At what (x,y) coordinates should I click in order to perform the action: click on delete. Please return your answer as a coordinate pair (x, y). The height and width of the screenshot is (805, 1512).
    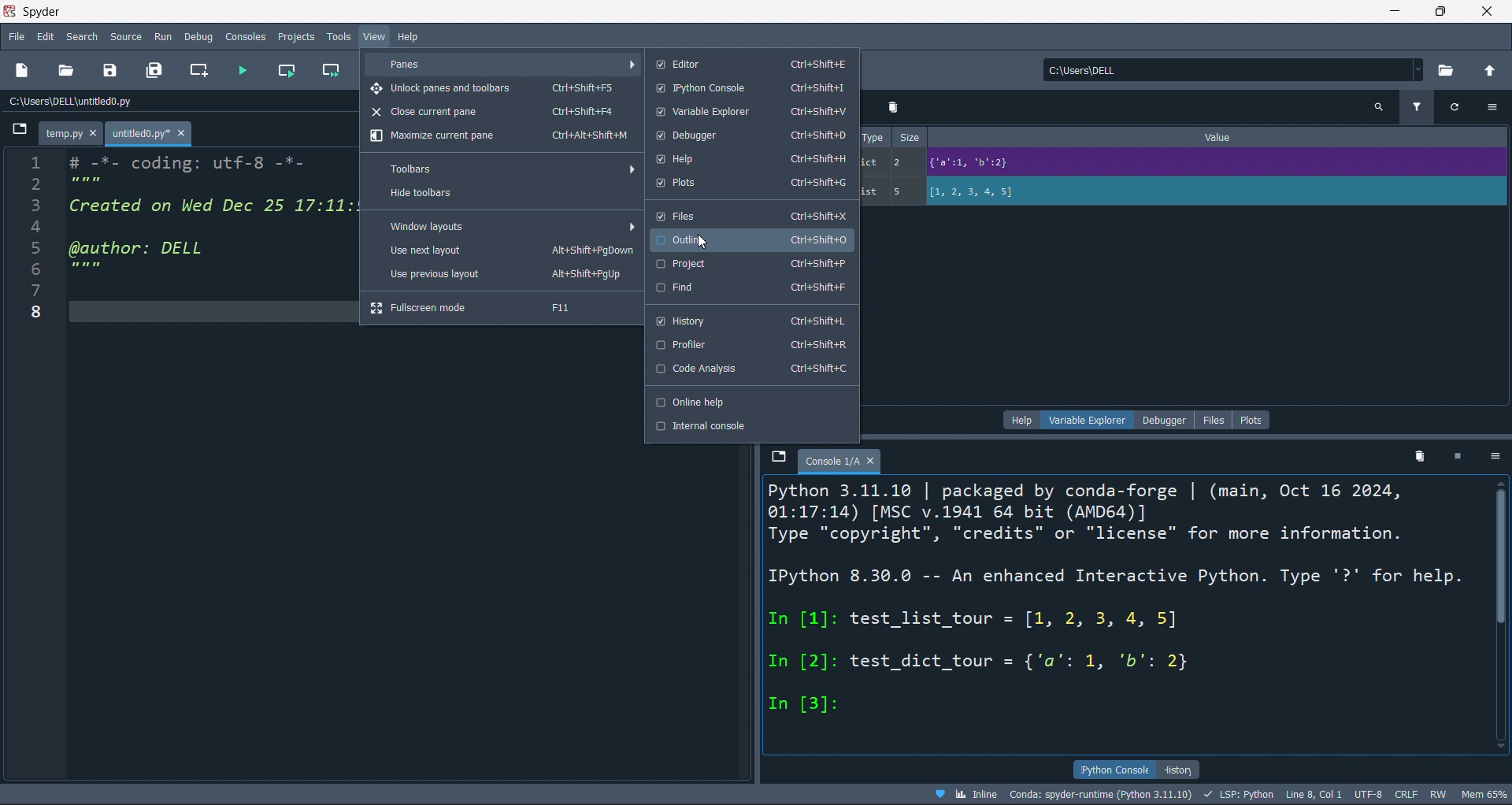
    Looking at the image, I should click on (1417, 457).